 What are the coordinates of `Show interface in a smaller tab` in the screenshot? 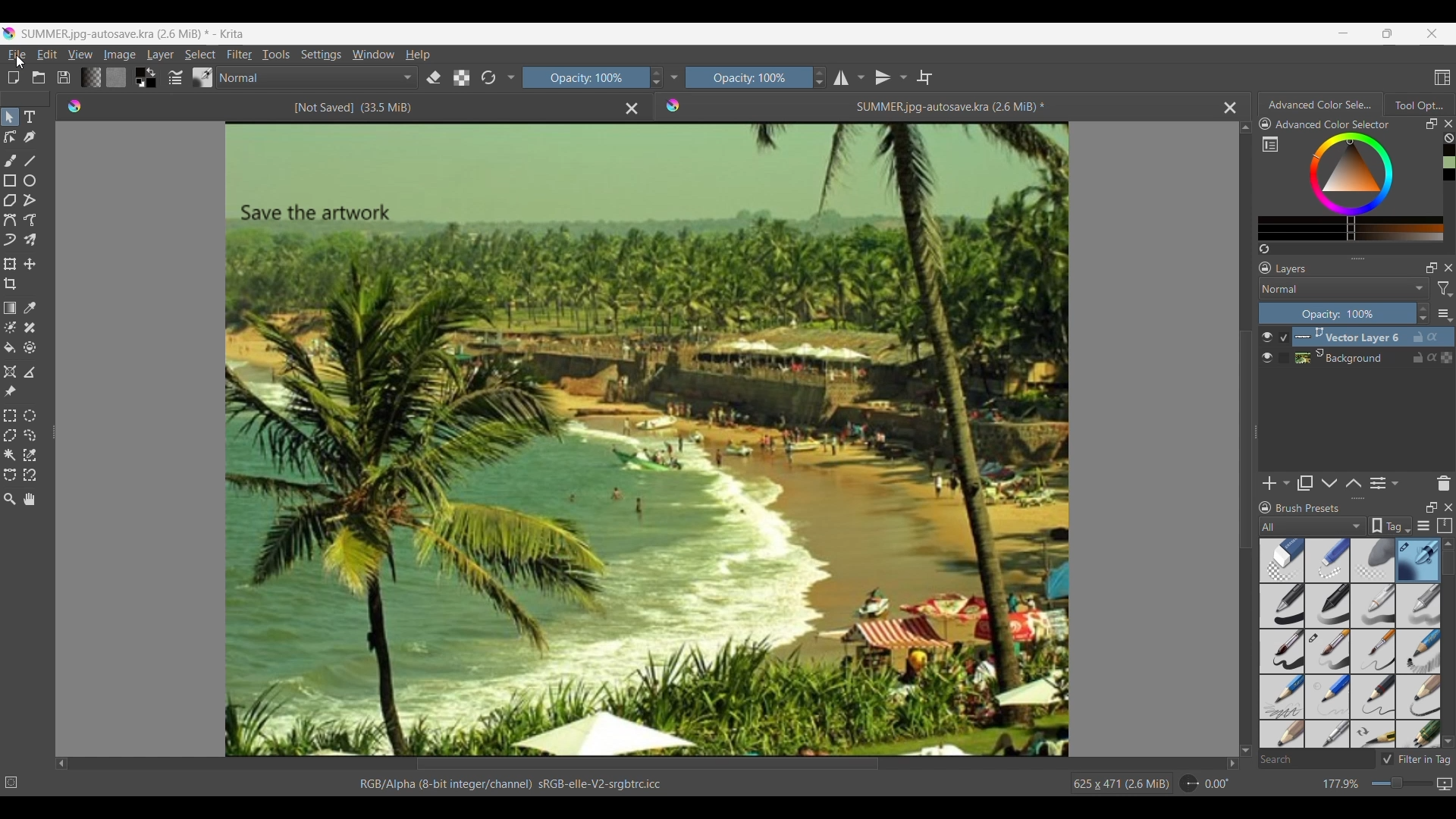 It's located at (1388, 33).